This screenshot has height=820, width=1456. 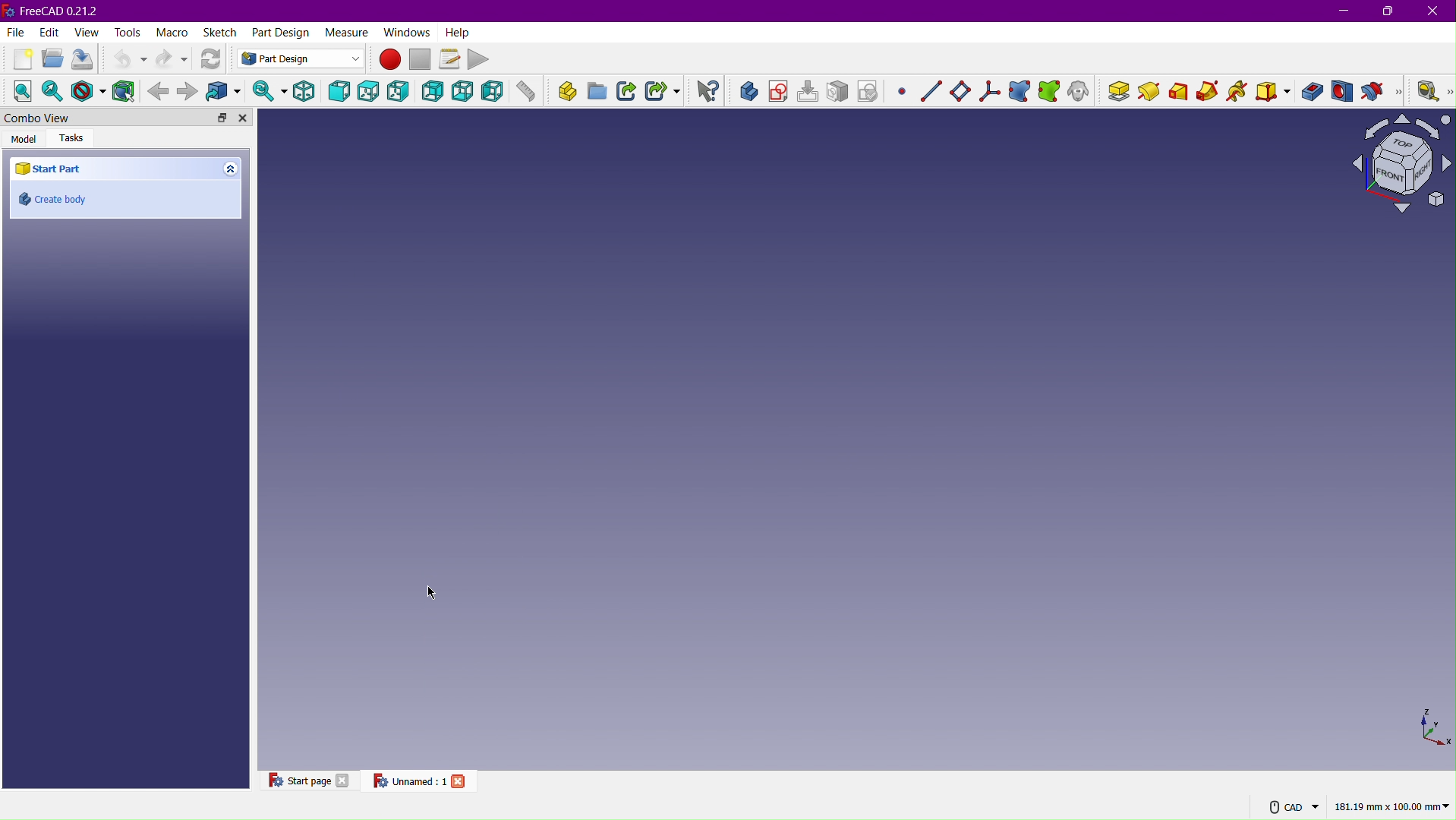 What do you see at coordinates (777, 91) in the screenshot?
I see `Create sketch` at bounding box center [777, 91].